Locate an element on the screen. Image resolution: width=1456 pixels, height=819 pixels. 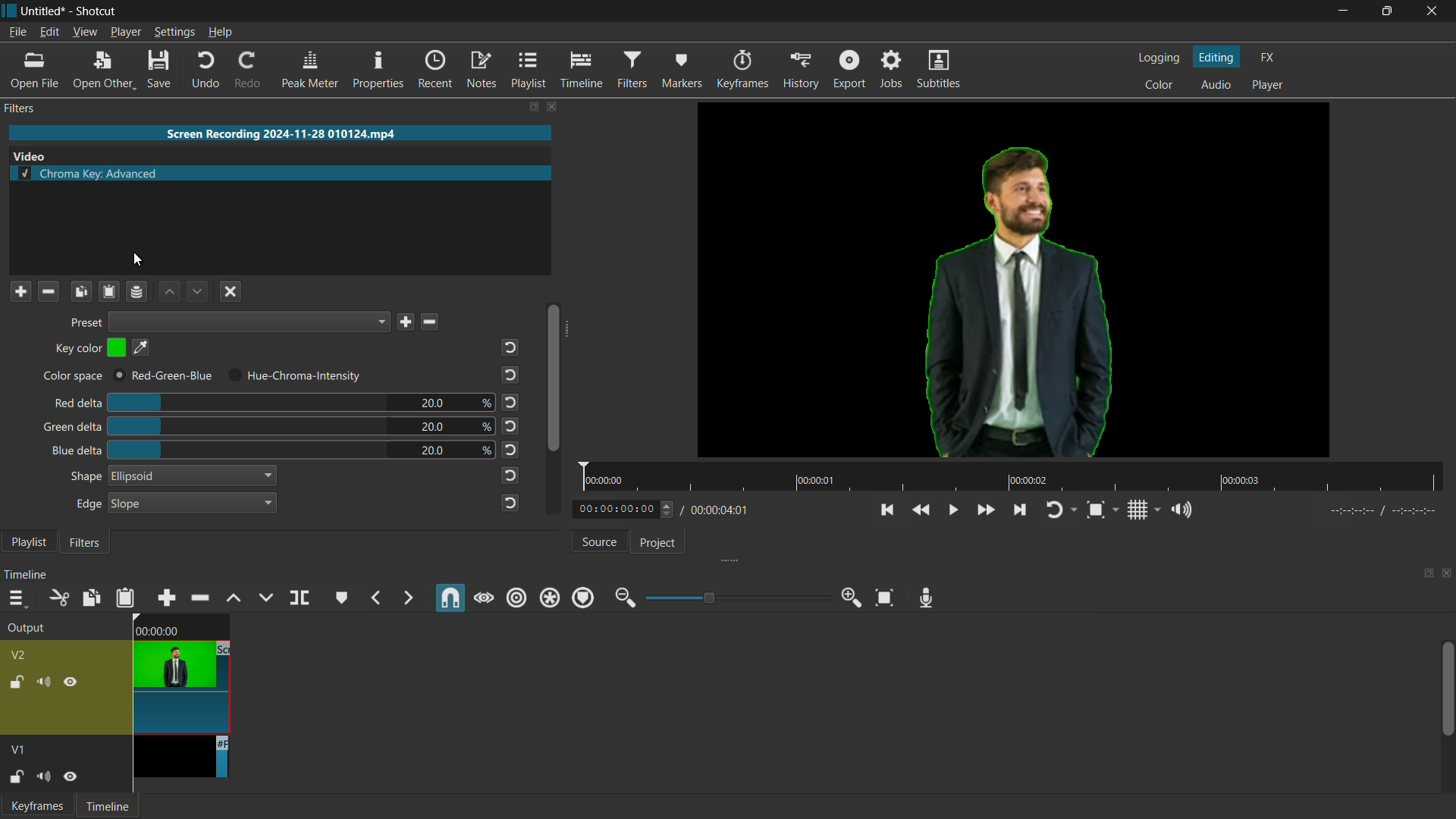
open file is located at coordinates (33, 71).